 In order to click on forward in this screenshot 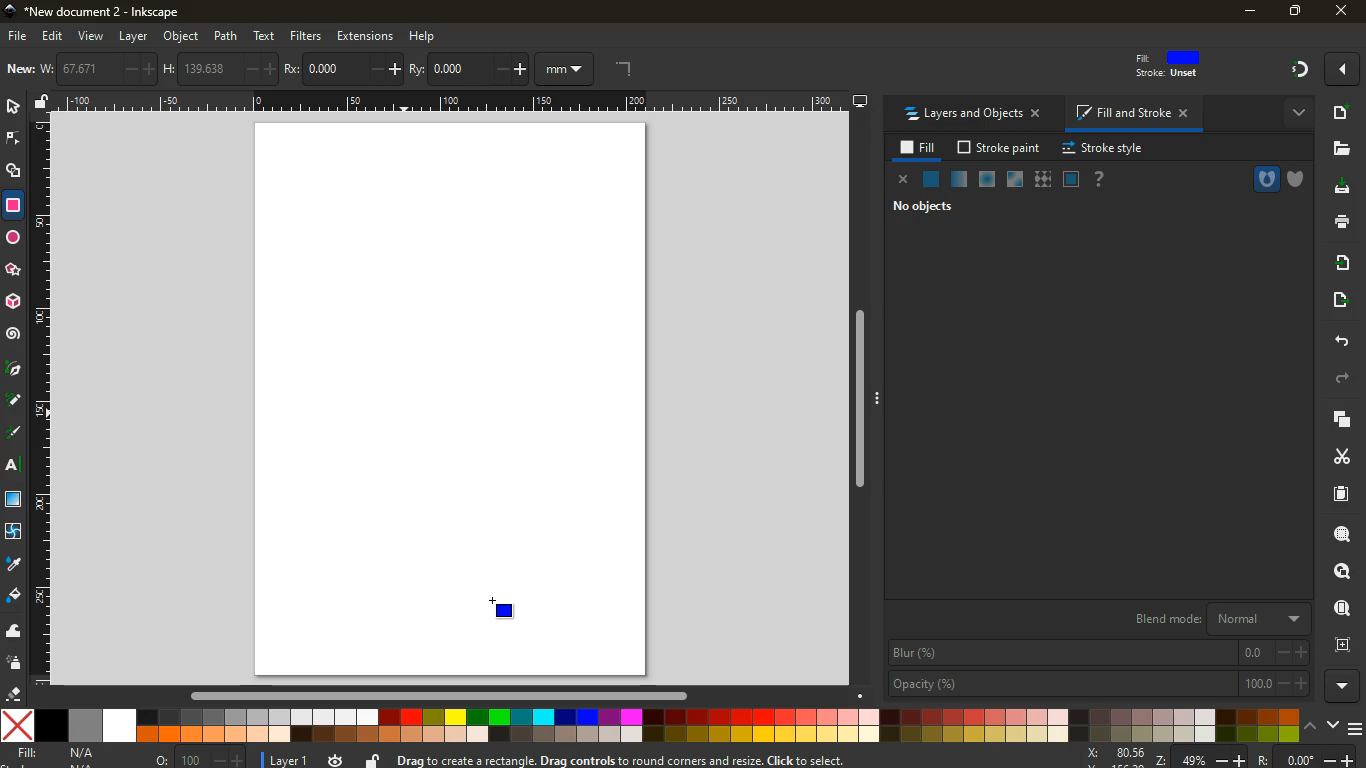, I will do `click(1340, 378)`.